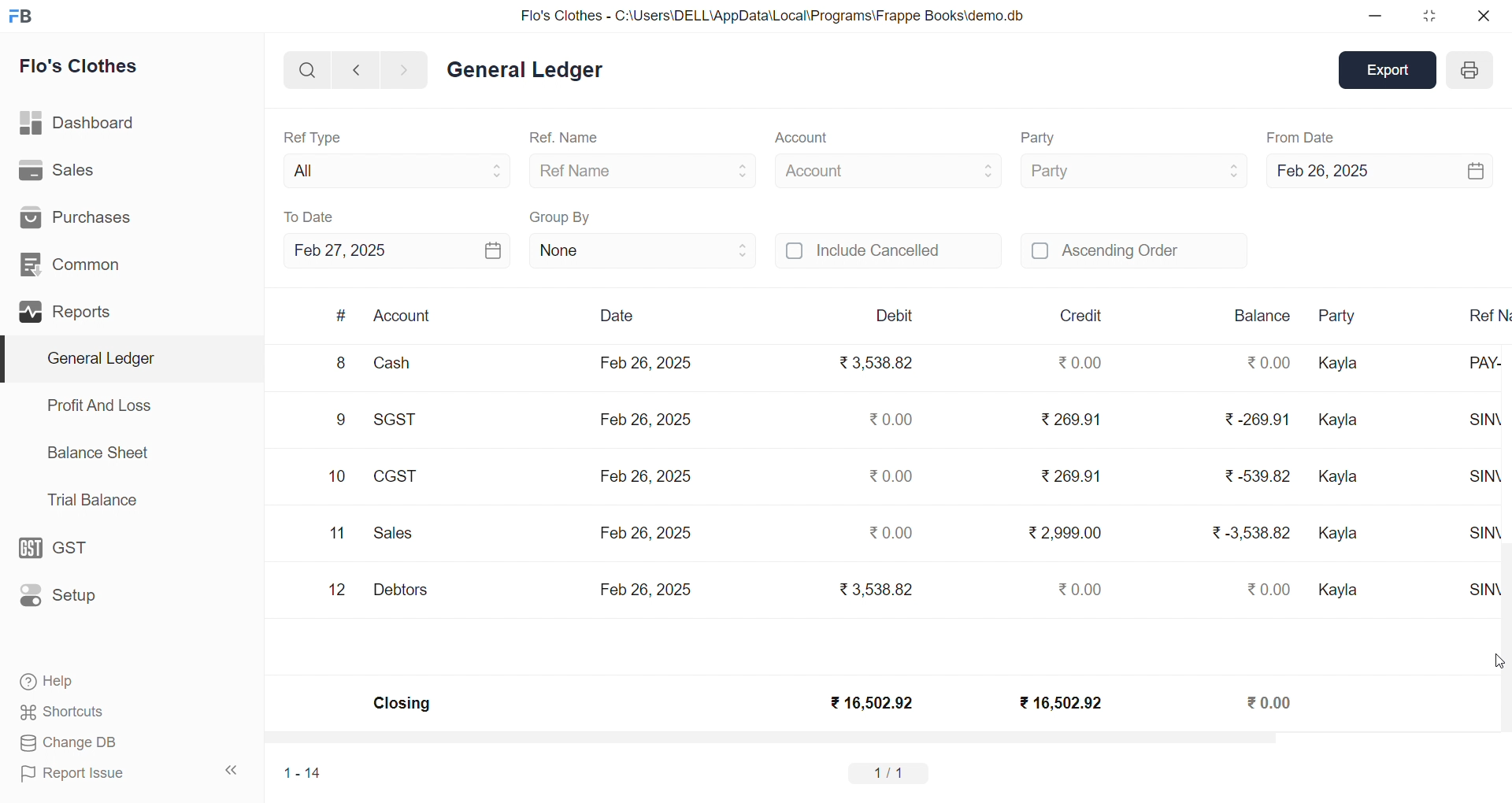 This screenshot has height=803, width=1512. What do you see at coordinates (1469, 72) in the screenshot?
I see `PRINT` at bounding box center [1469, 72].